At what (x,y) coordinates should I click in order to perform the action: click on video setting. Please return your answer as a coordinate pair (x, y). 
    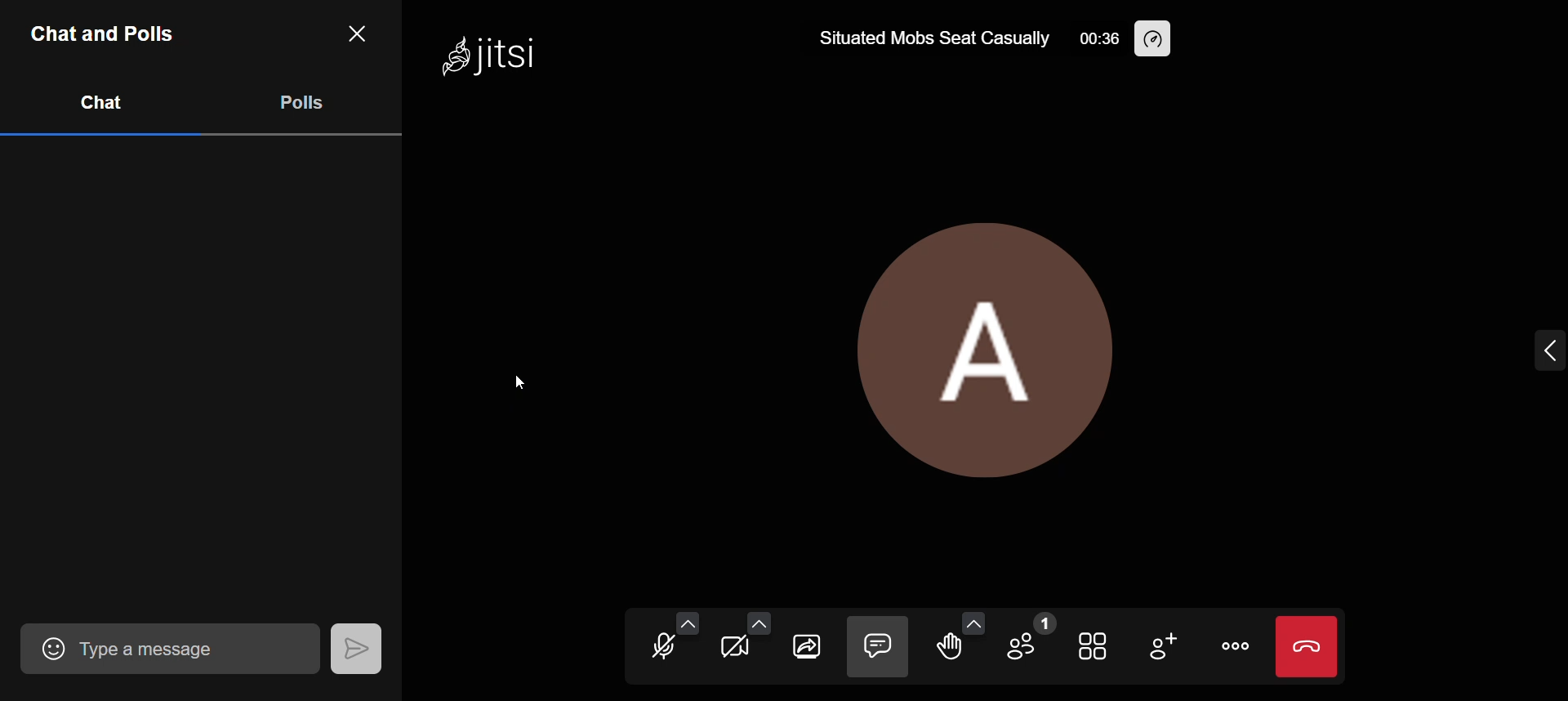
    Looking at the image, I should click on (758, 623).